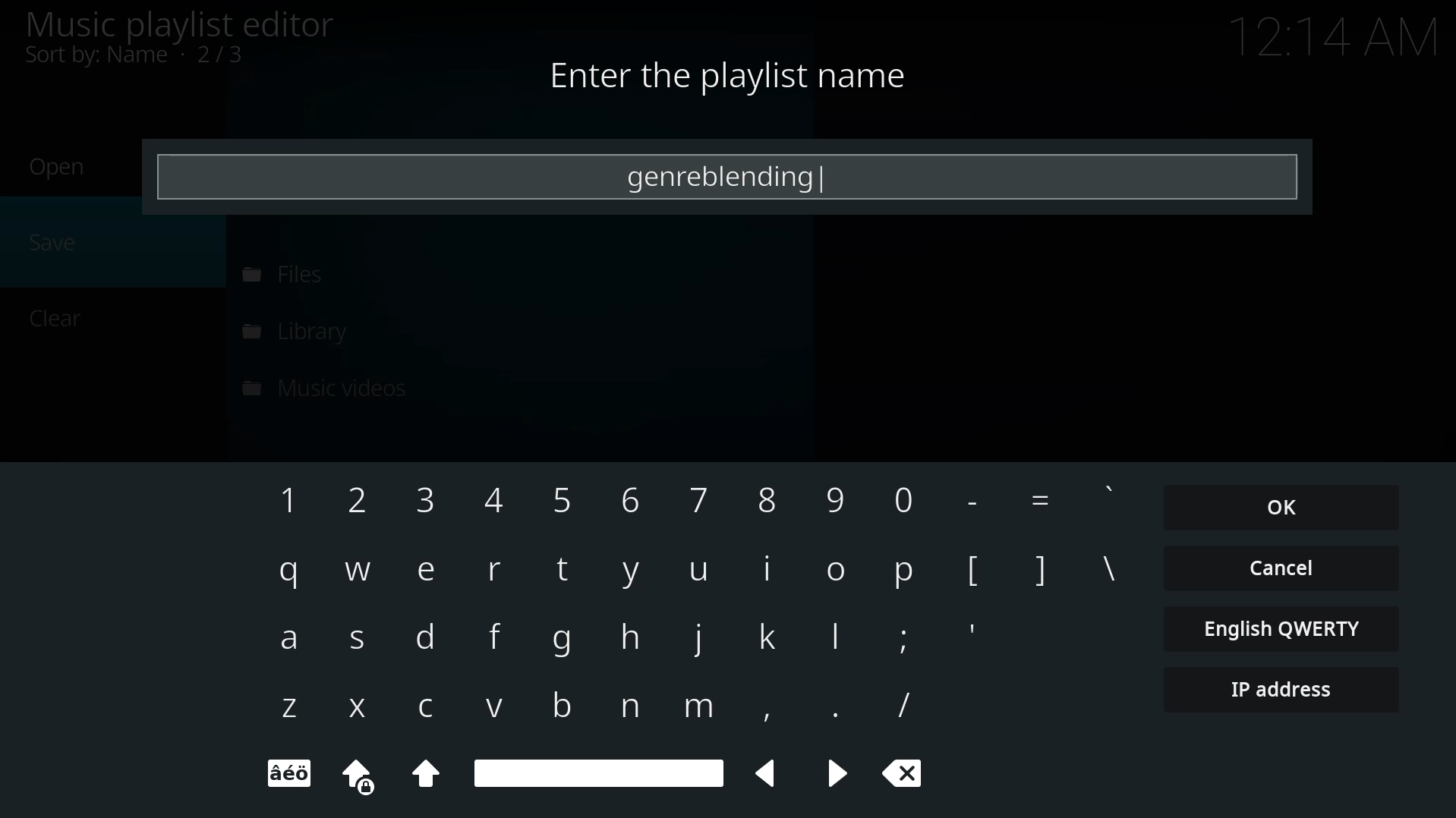  I want to click on enter playlist name, so click(726, 76).